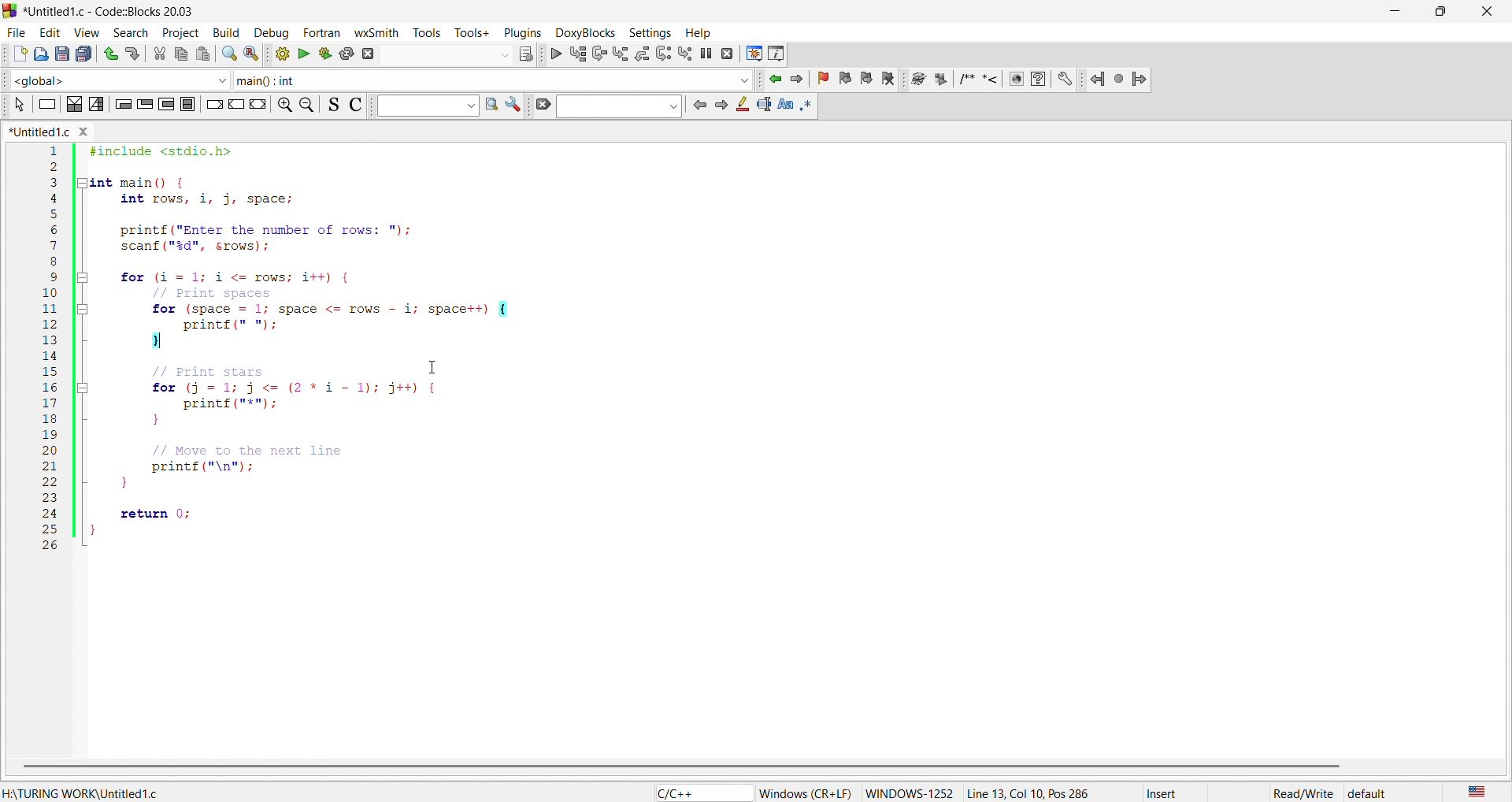 This screenshot has width=1512, height=802. What do you see at coordinates (213, 104) in the screenshot?
I see `break instruction` at bounding box center [213, 104].